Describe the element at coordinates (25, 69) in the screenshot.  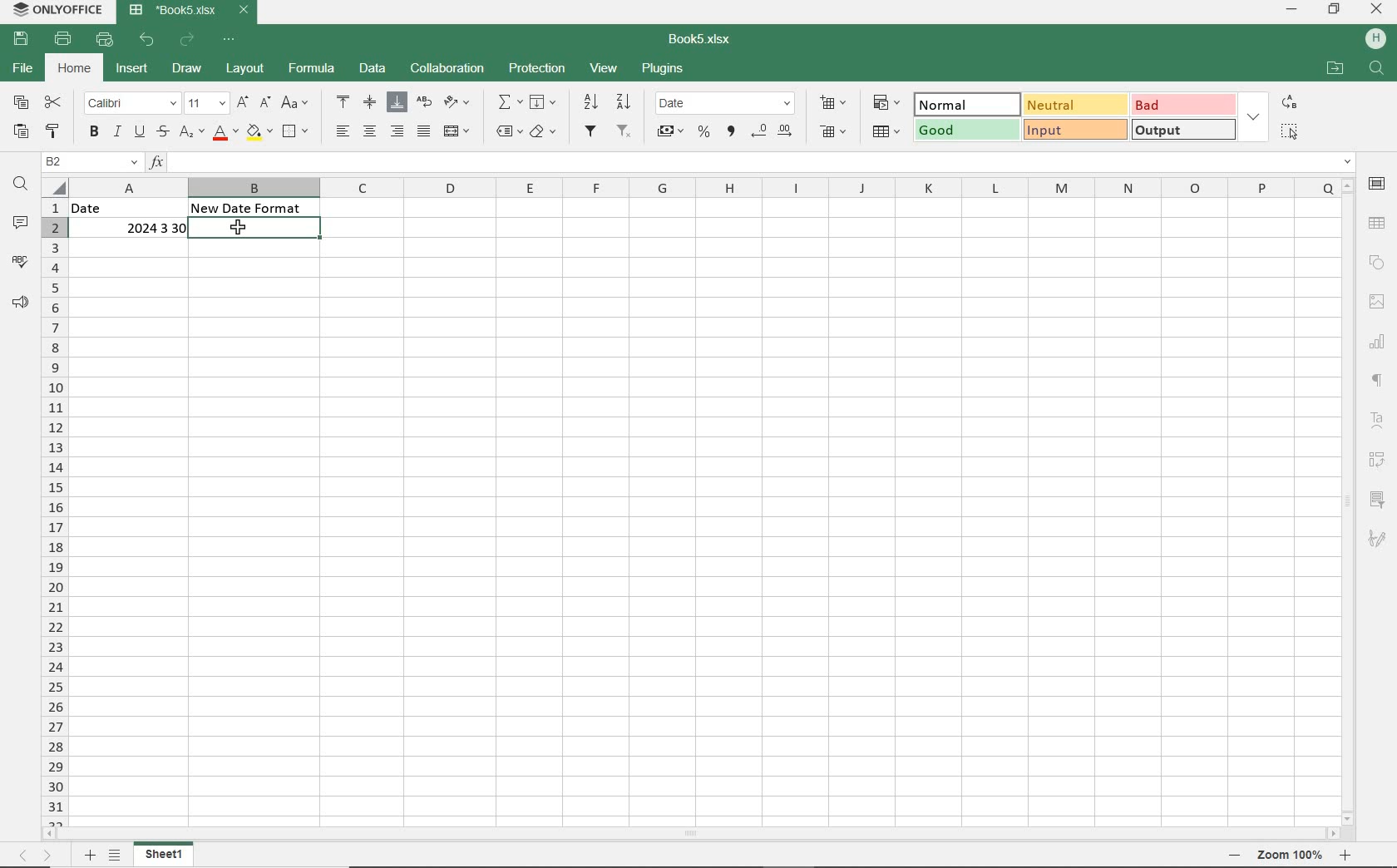
I see `FILE` at that location.